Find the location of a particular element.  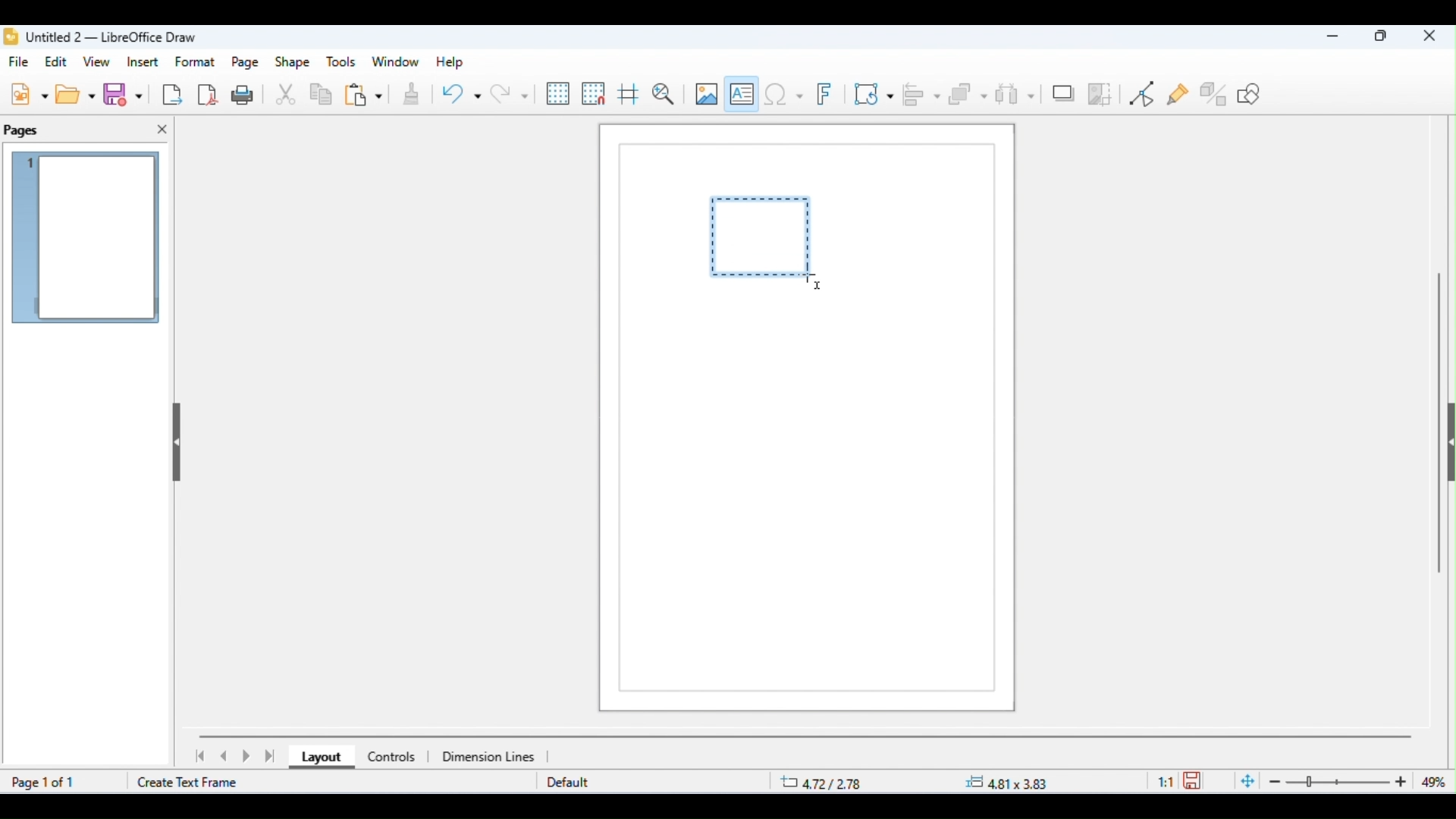

redo is located at coordinates (509, 93).